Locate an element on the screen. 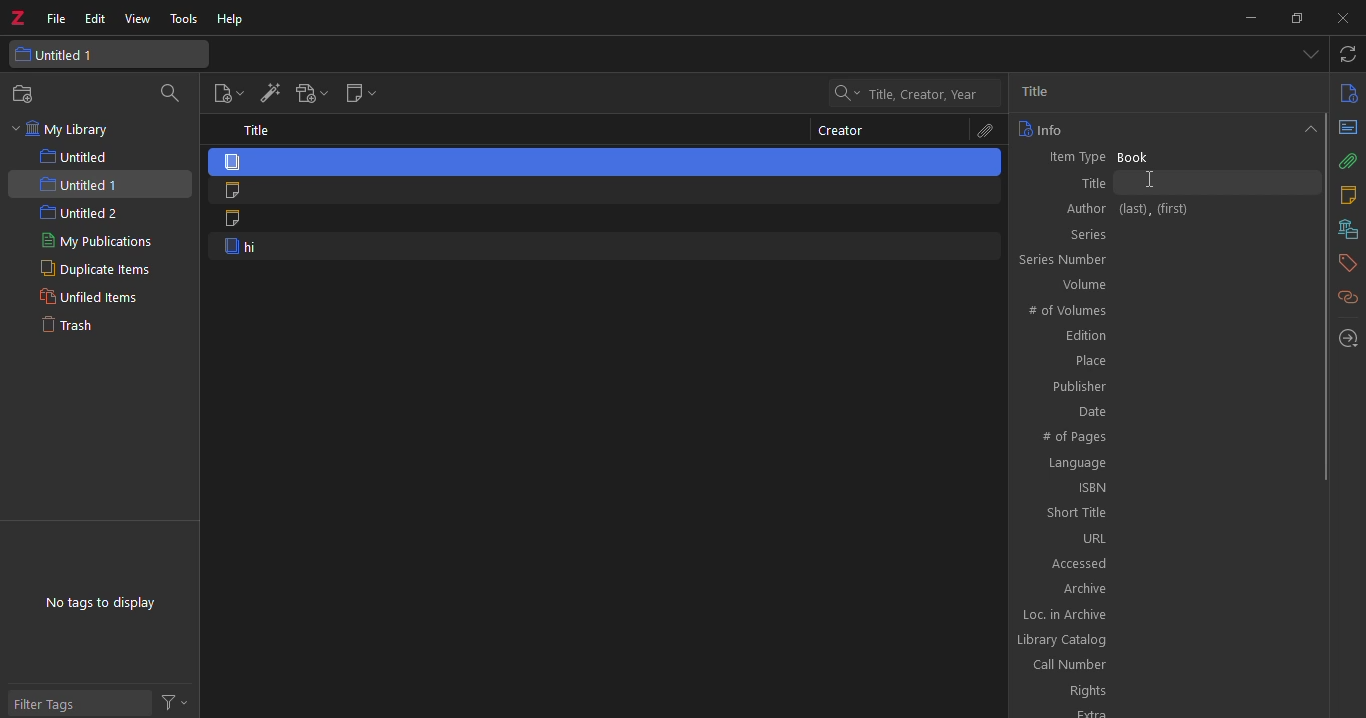  title is located at coordinates (258, 130).